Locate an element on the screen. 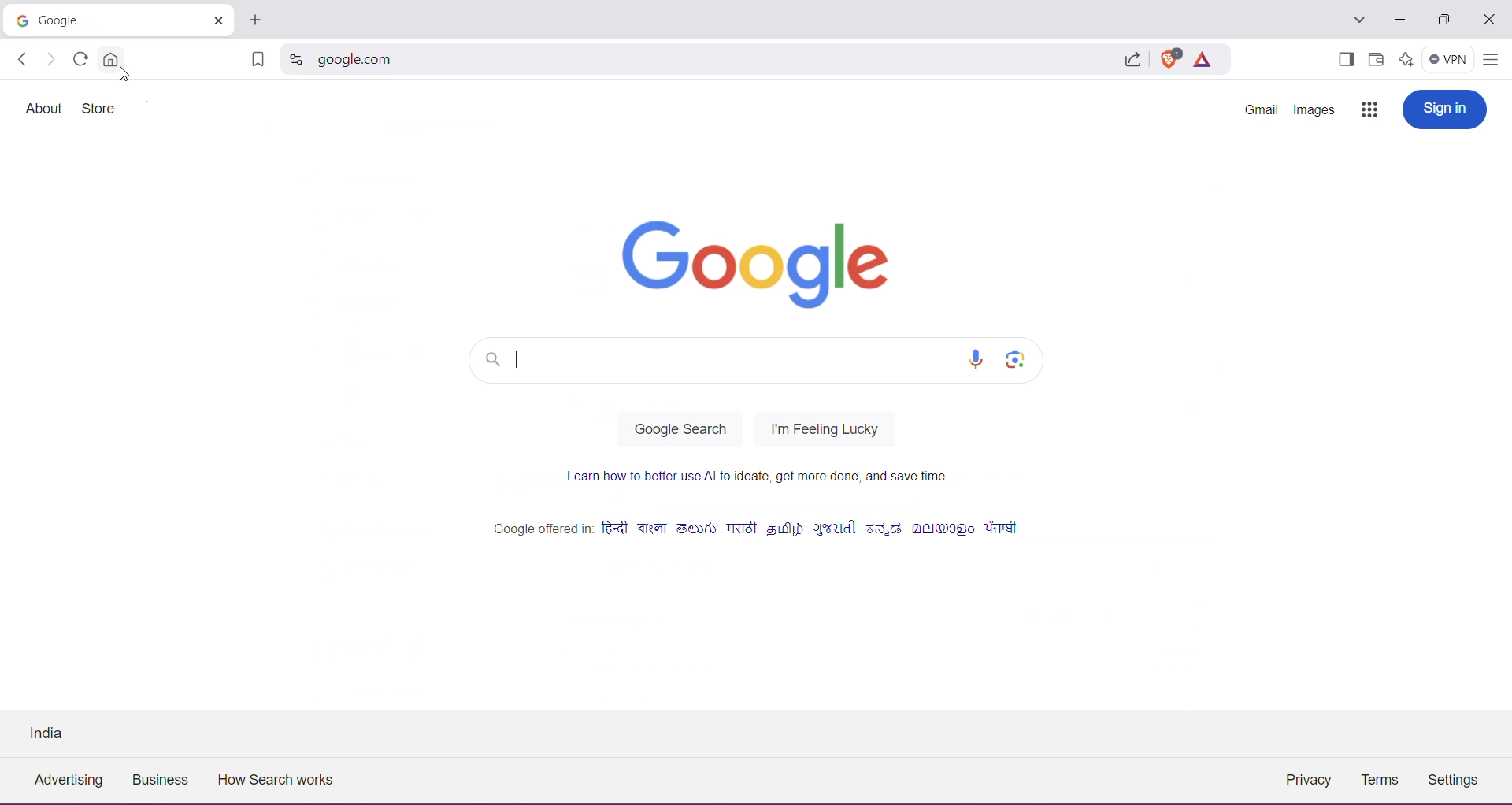  Google apps is located at coordinates (1368, 111).